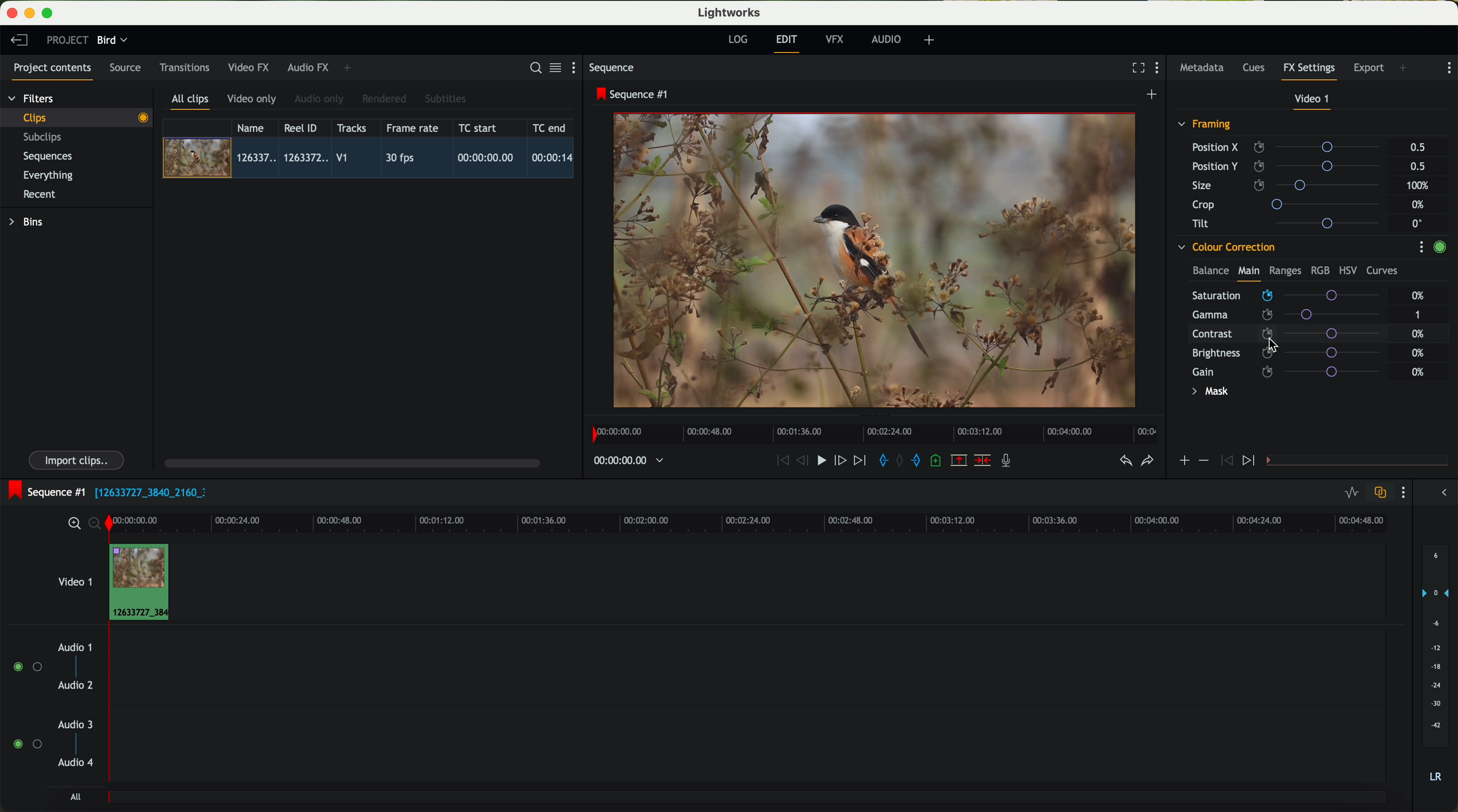 This screenshot has height=812, width=1458. What do you see at coordinates (28, 222) in the screenshot?
I see `bins` at bounding box center [28, 222].